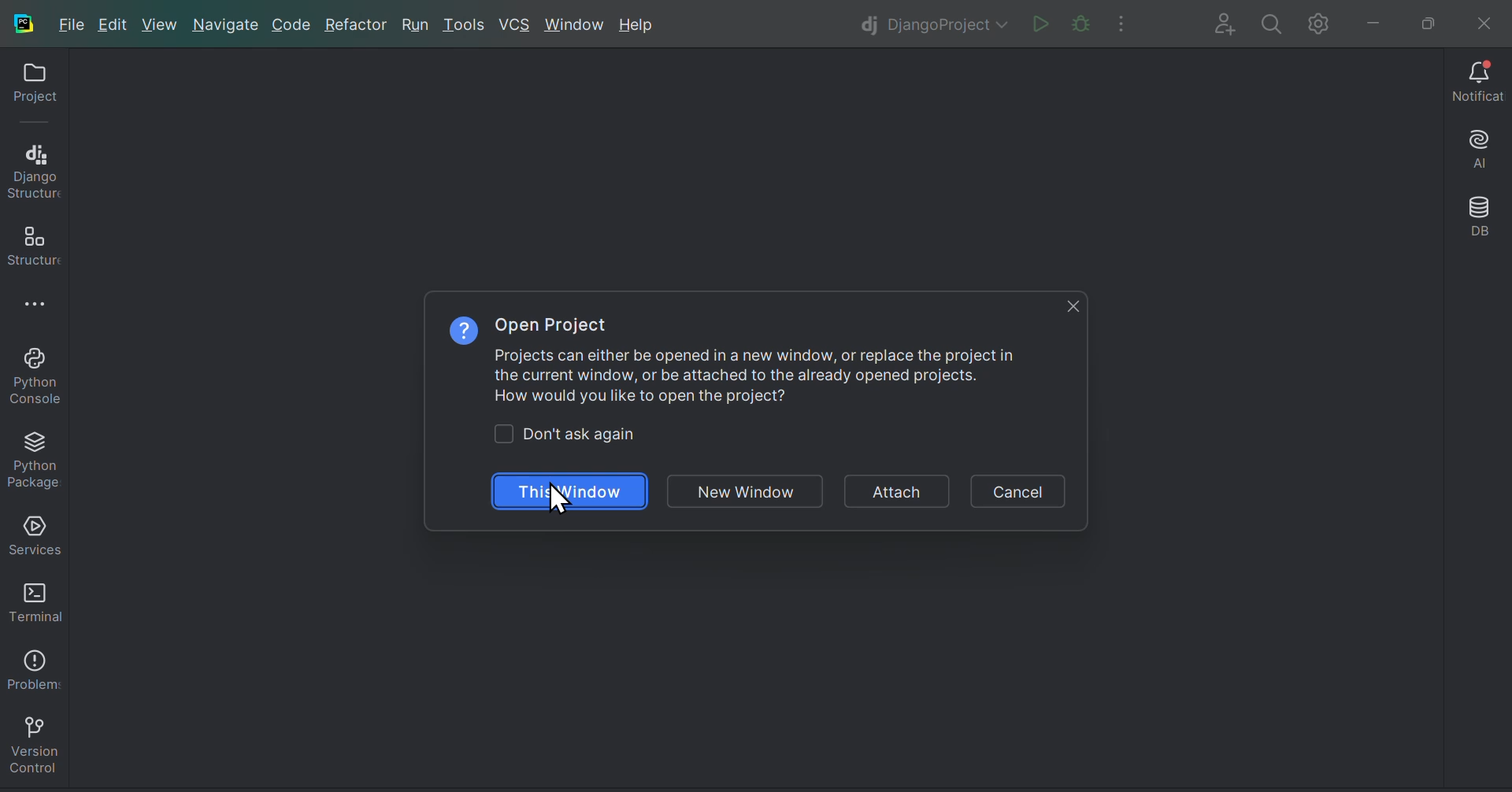 Image resolution: width=1512 pixels, height=792 pixels. Describe the element at coordinates (1217, 21) in the screenshot. I see `Add file` at that location.